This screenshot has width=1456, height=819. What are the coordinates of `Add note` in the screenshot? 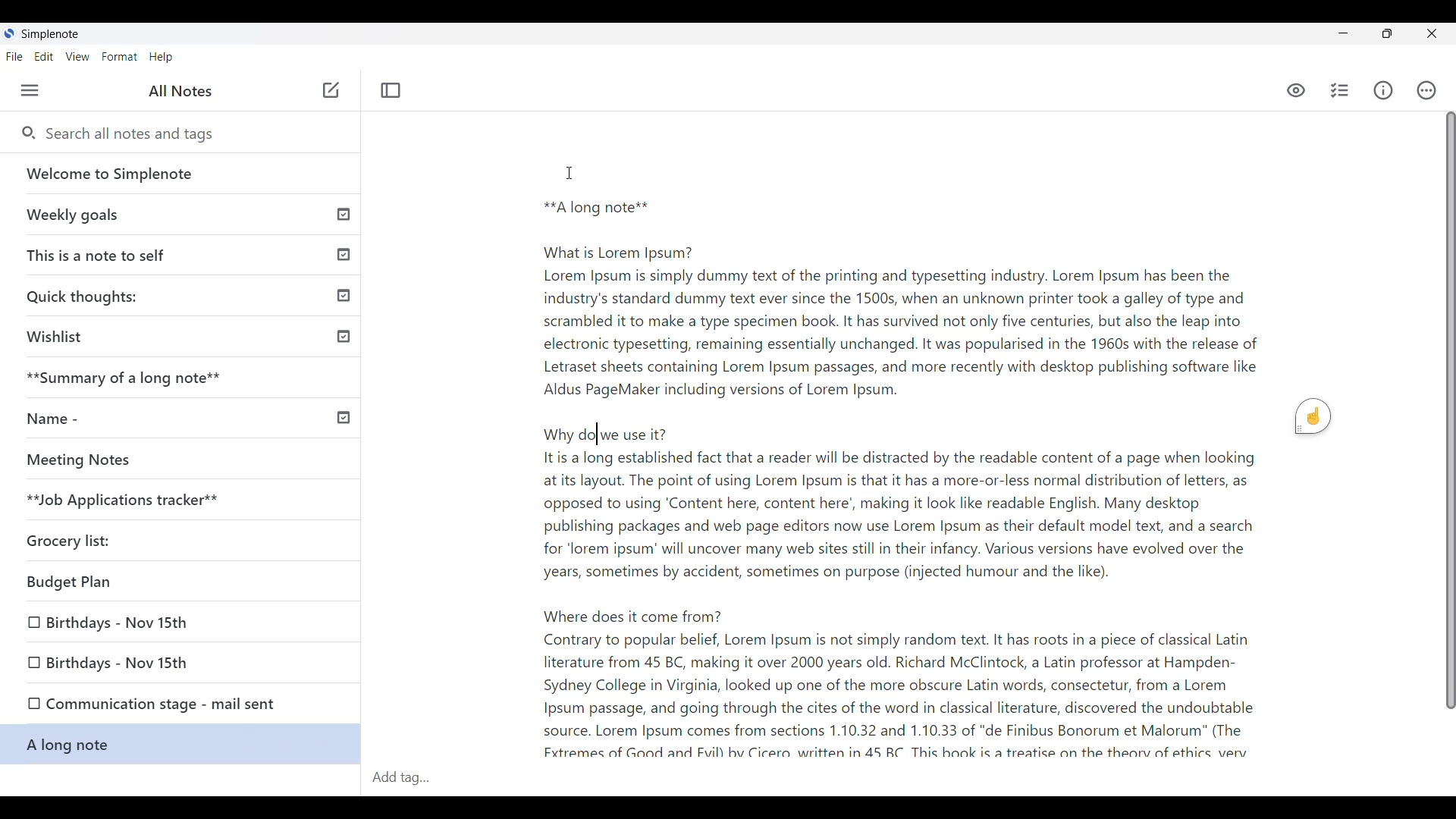 It's located at (329, 91).